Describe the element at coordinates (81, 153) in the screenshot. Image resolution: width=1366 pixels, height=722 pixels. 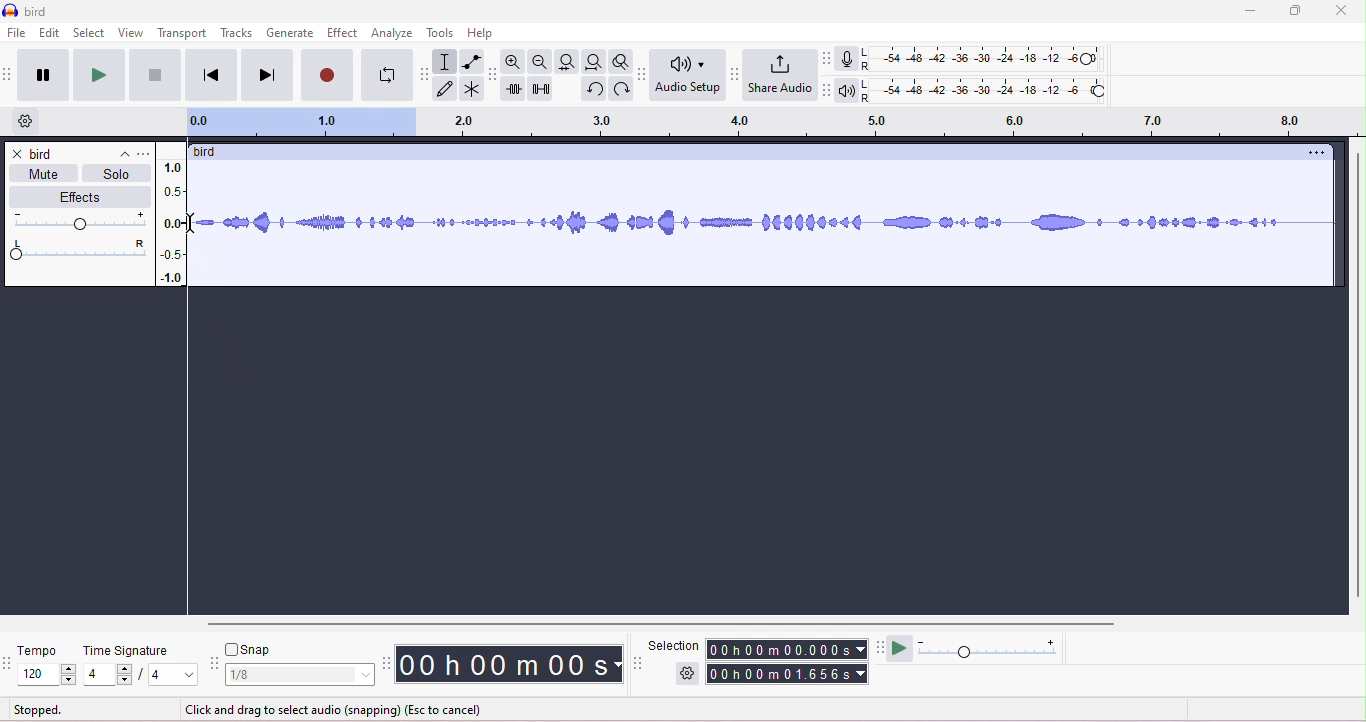
I see `track title` at that location.